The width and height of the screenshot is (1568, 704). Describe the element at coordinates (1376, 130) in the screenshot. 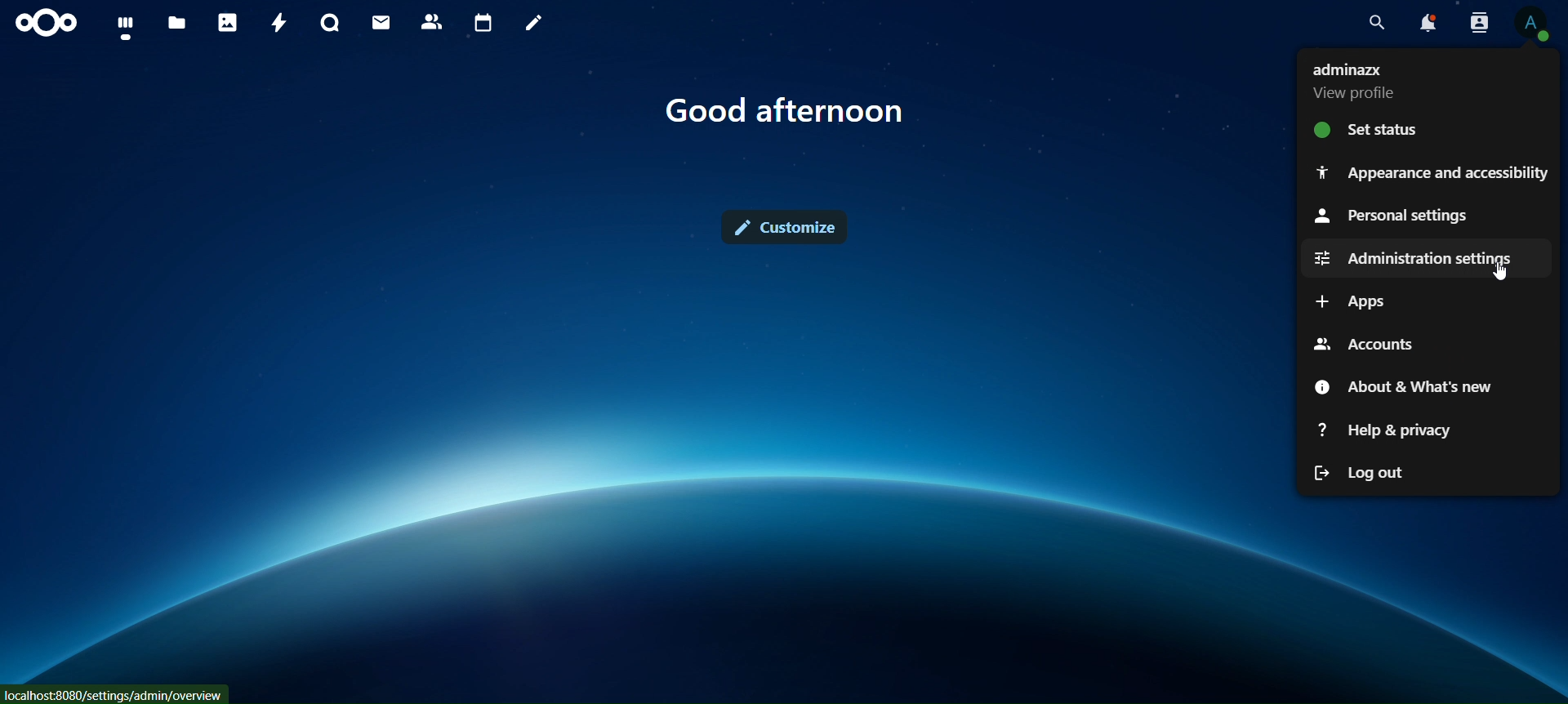

I see `set status ` at that location.